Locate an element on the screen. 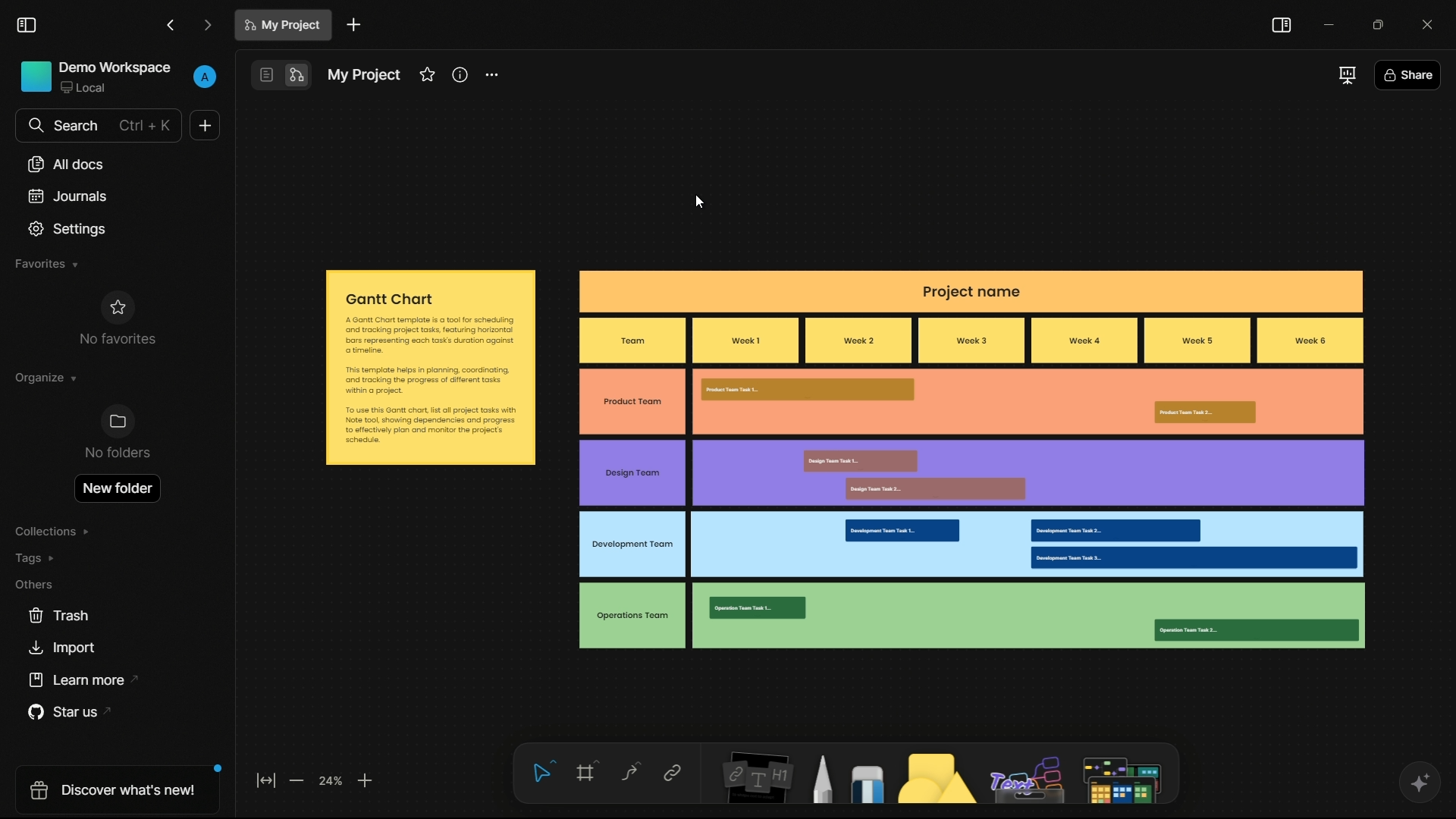  new folder is located at coordinates (119, 486).